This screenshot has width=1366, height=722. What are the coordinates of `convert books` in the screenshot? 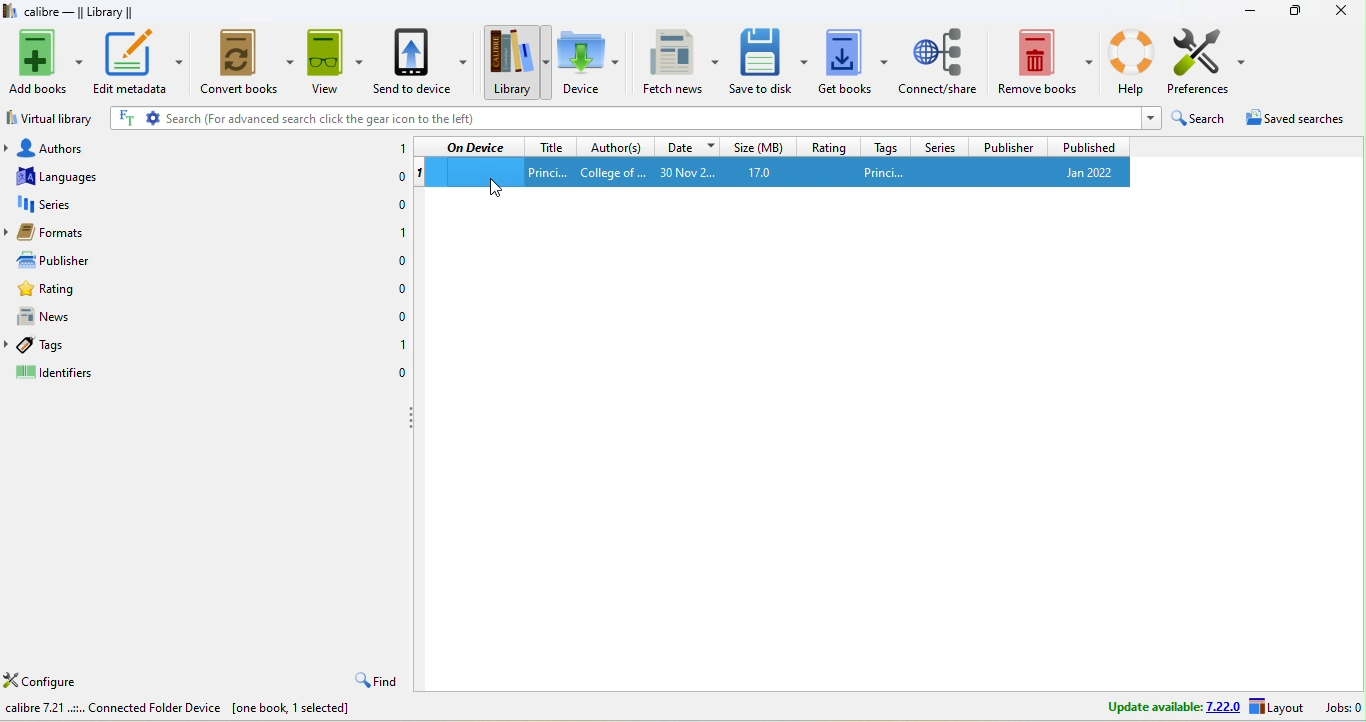 It's located at (249, 62).